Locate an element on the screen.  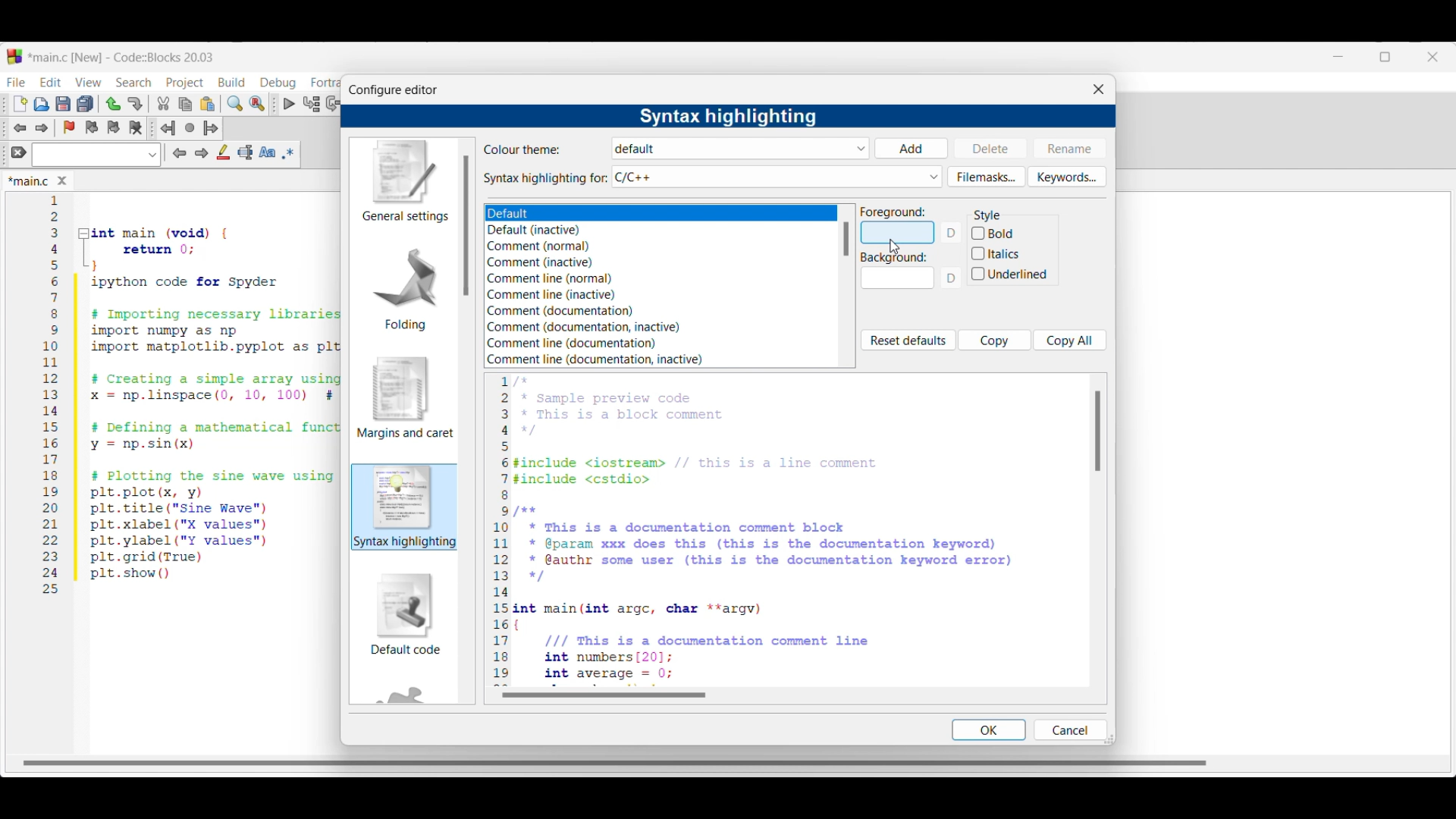
Indicates color theme options is located at coordinates (523, 149).